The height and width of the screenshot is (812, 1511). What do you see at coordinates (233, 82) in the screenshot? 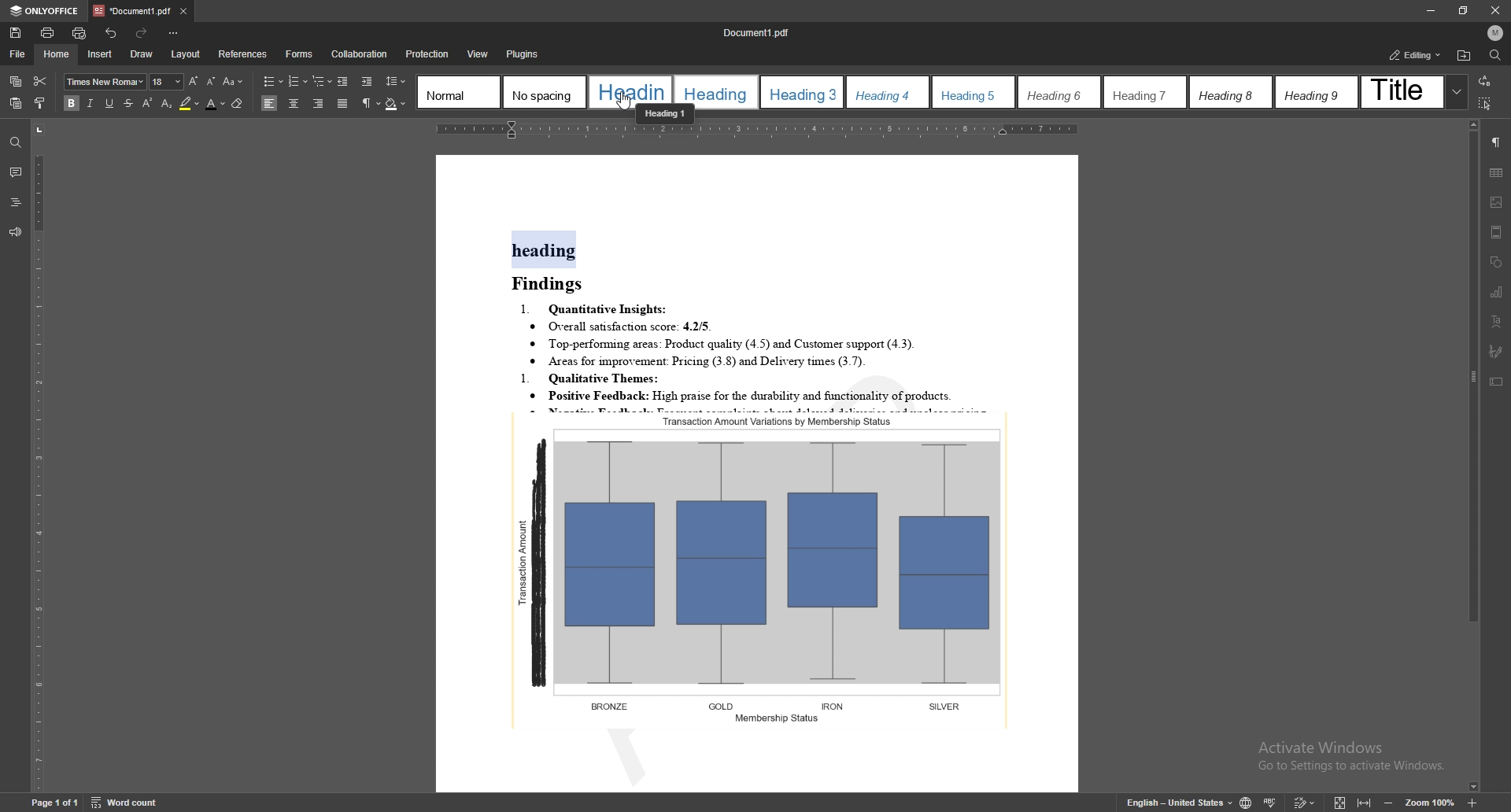
I see `change case` at bounding box center [233, 82].